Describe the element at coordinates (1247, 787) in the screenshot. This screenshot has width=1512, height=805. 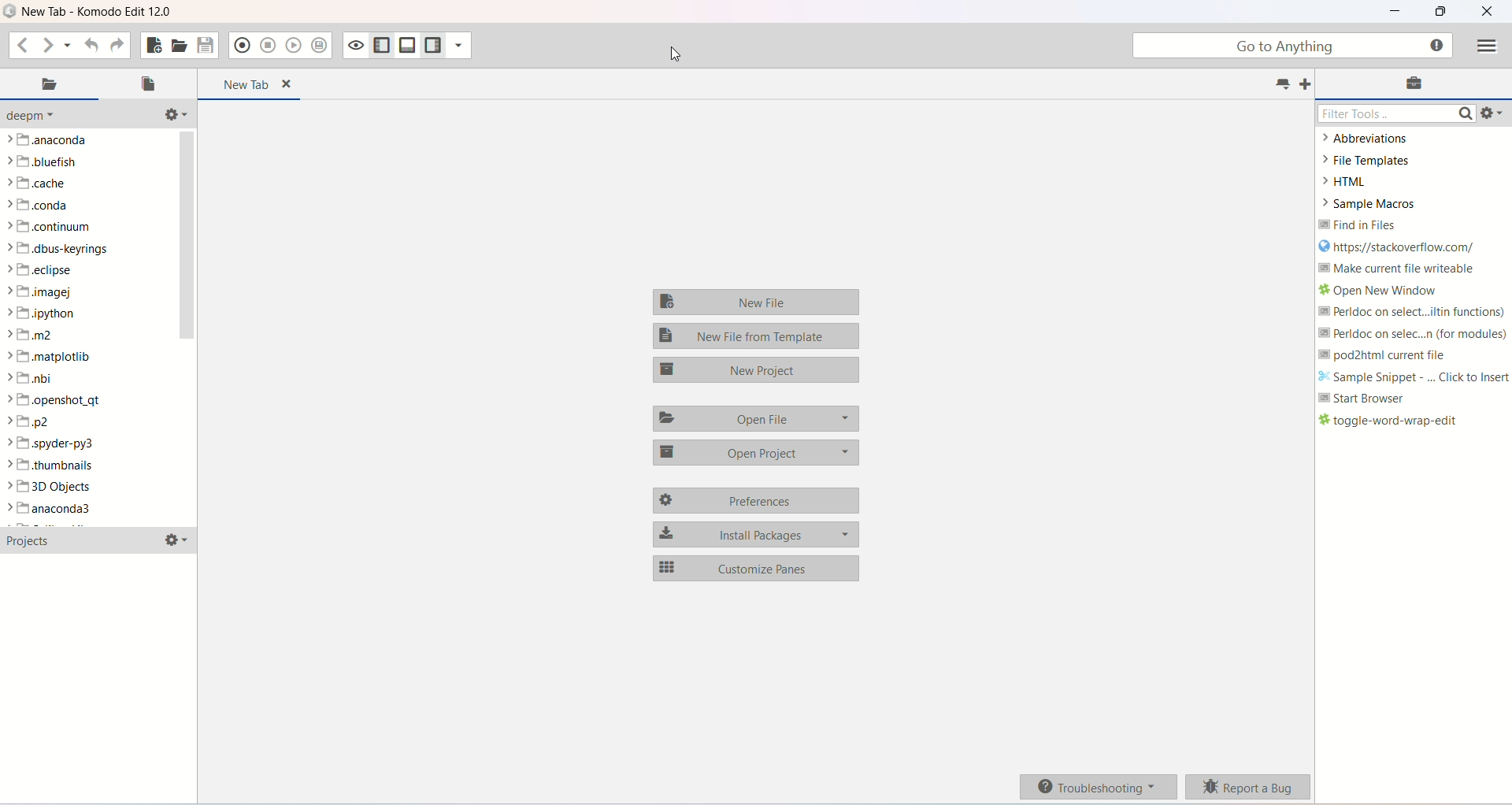
I see `report a bug` at that location.